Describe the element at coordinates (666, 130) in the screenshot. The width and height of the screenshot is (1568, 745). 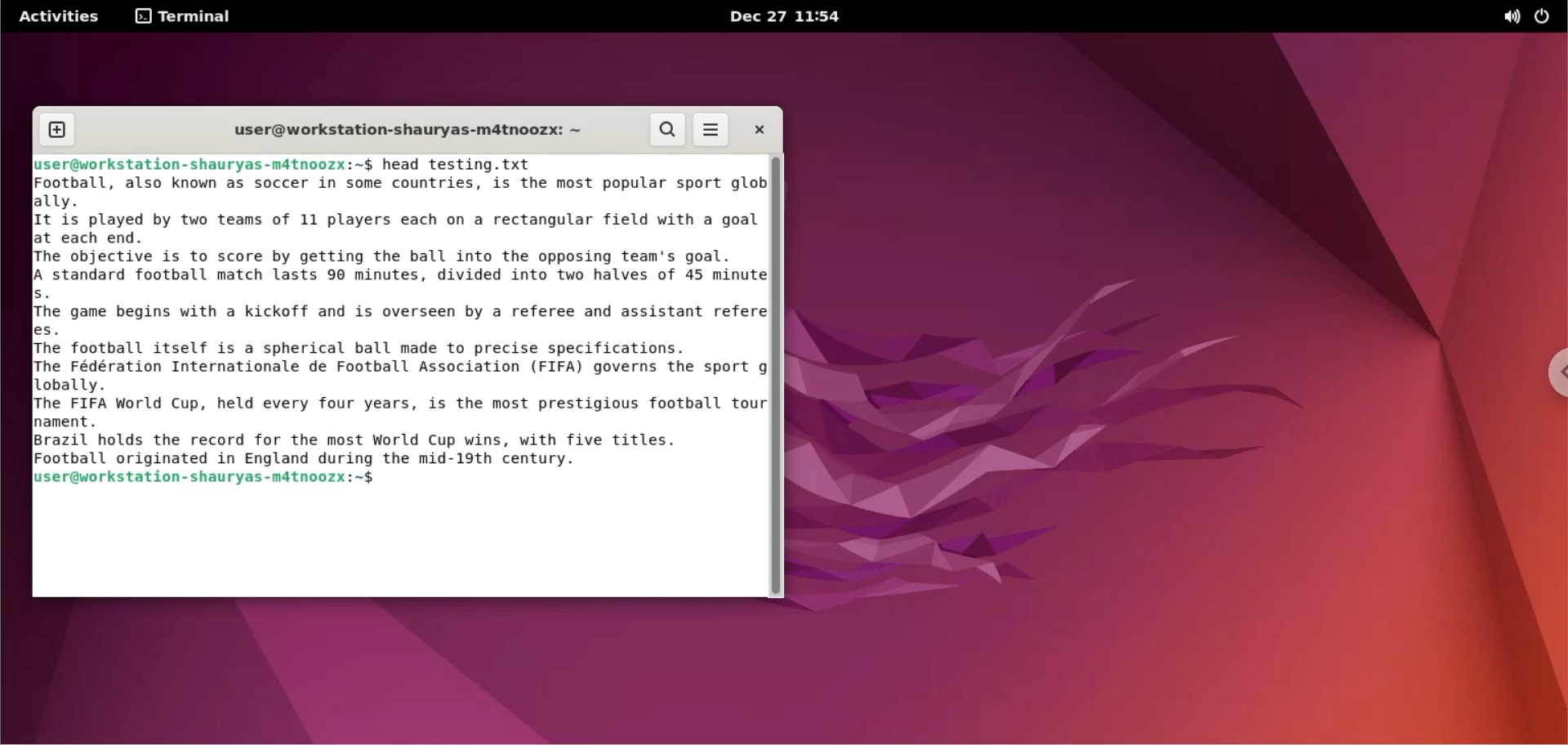
I see `search` at that location.